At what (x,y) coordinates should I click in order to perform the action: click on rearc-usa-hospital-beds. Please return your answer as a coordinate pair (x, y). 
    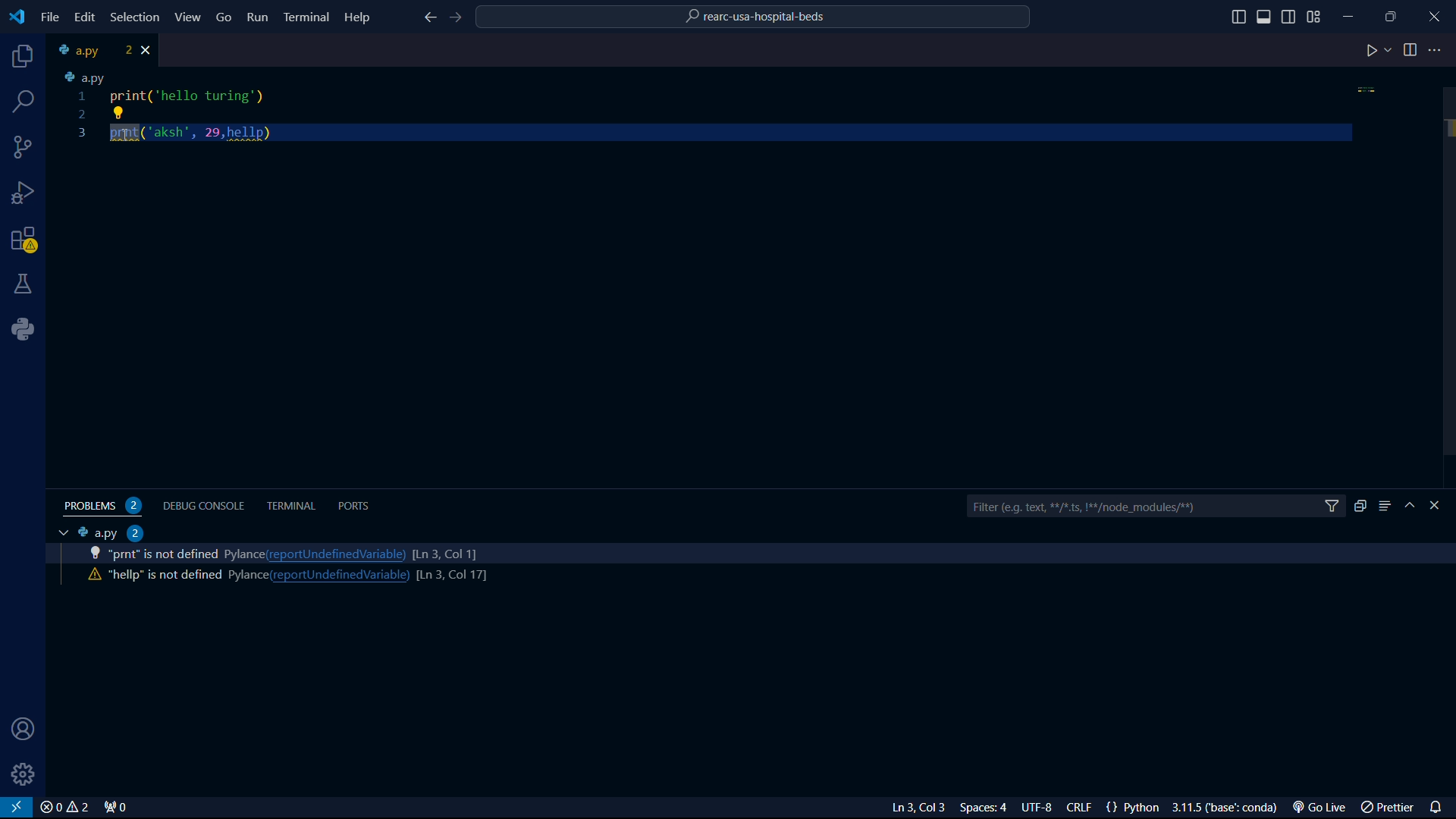
    Looking at the image, I should click on (755, 19).